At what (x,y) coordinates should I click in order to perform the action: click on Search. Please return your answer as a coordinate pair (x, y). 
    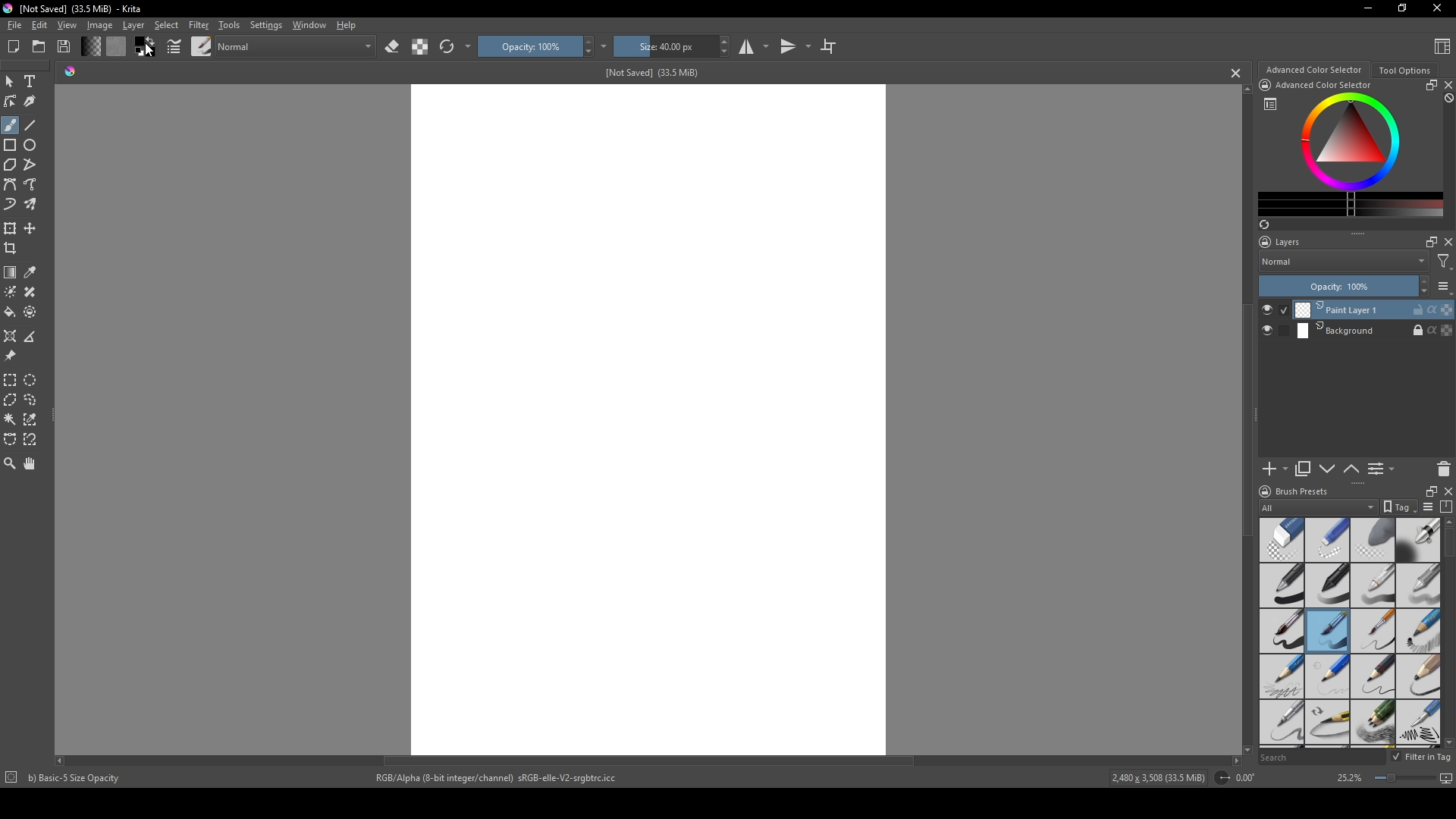
    Looking at the image, I should click on (1321, 758).